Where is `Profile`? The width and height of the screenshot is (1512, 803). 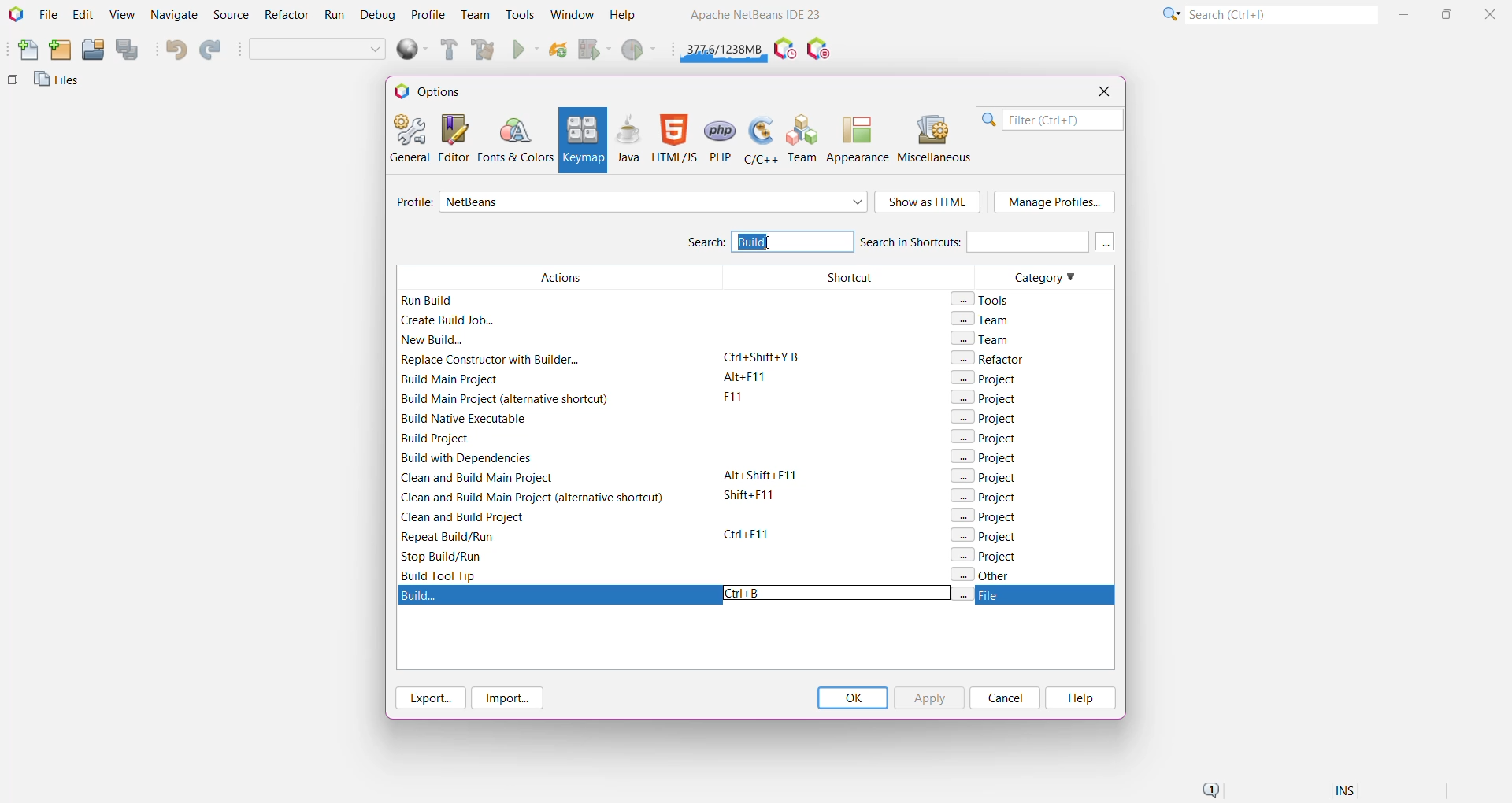
Profile is located at coordinates (412, 204).